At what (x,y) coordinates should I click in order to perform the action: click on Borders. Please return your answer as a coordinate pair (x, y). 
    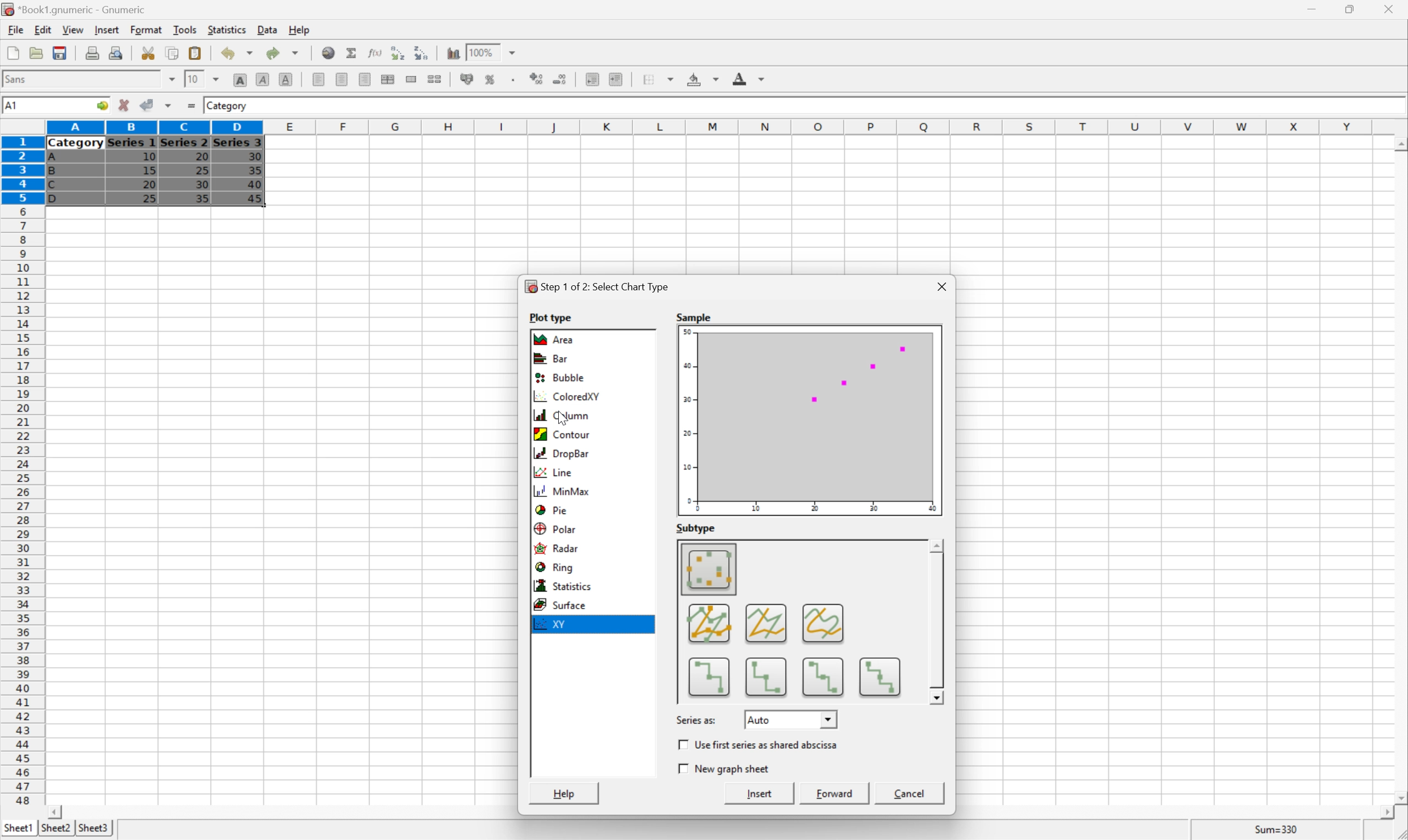
    Looking at the image, I should click on (661, 78).